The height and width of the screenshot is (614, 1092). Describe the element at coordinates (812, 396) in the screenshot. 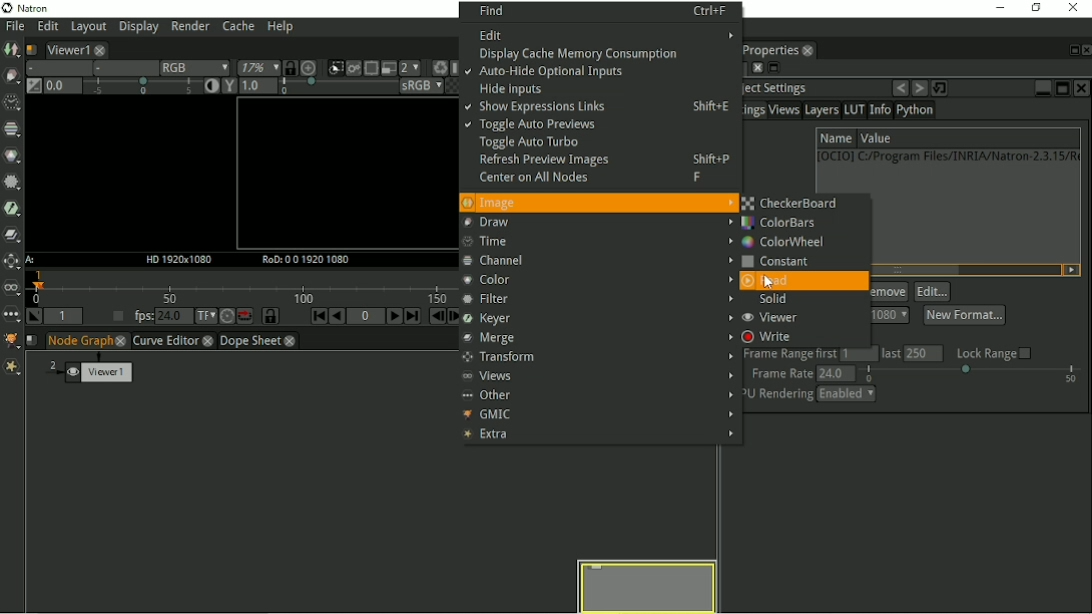

I see `GPU Rendering` at that location.